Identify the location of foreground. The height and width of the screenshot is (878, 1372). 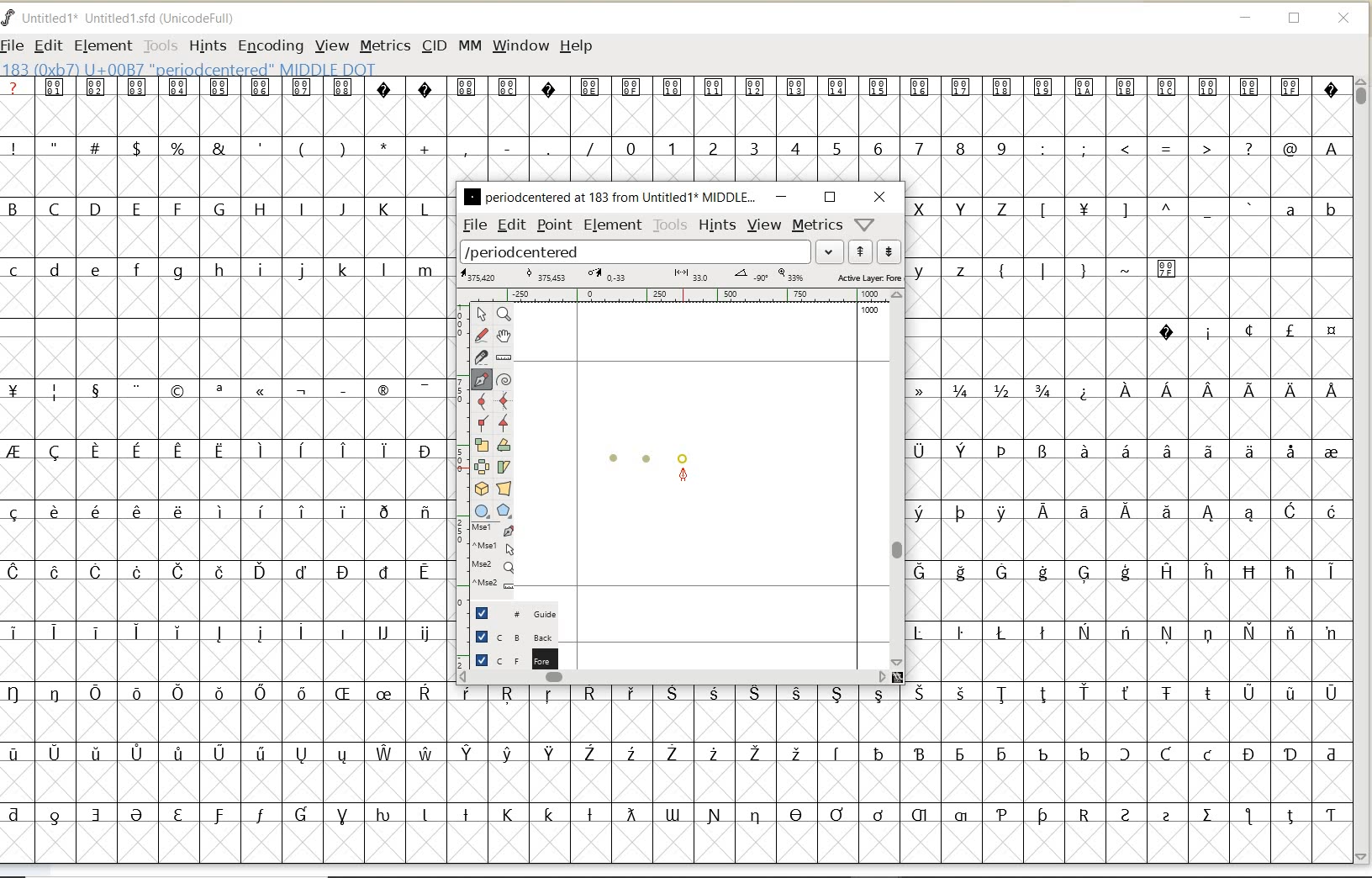
(510, 658).